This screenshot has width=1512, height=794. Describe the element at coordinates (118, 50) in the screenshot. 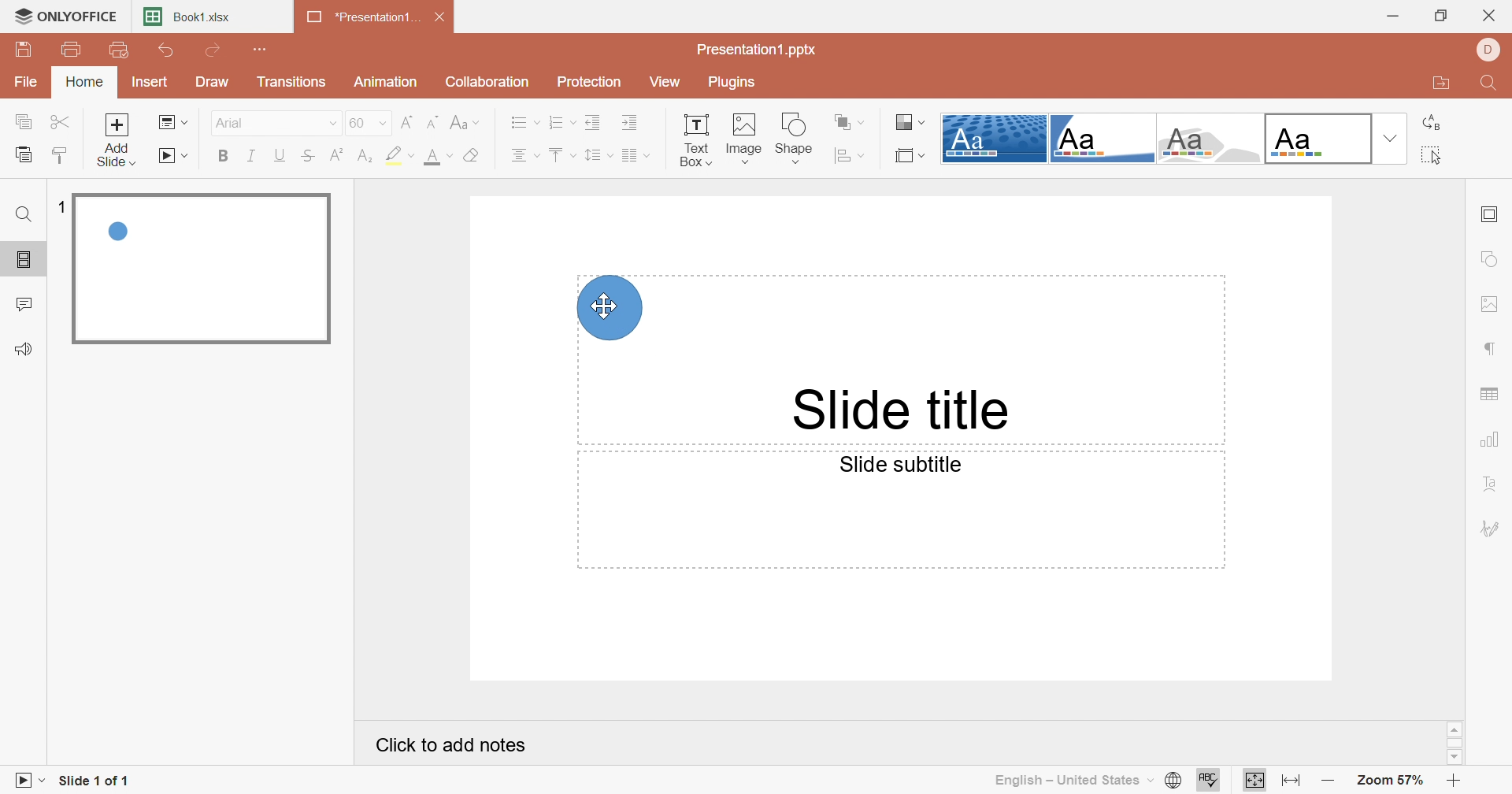

I see `Quick print` at that location.